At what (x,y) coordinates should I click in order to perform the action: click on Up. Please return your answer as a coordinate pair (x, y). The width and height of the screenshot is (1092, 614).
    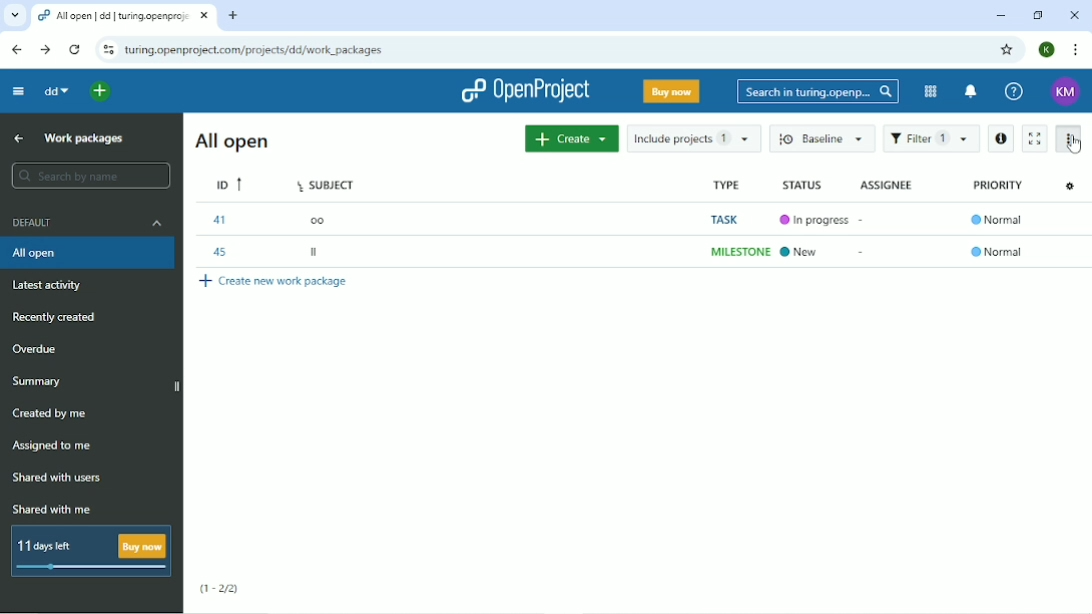
    Looking at the image, I should click on (18, 139).